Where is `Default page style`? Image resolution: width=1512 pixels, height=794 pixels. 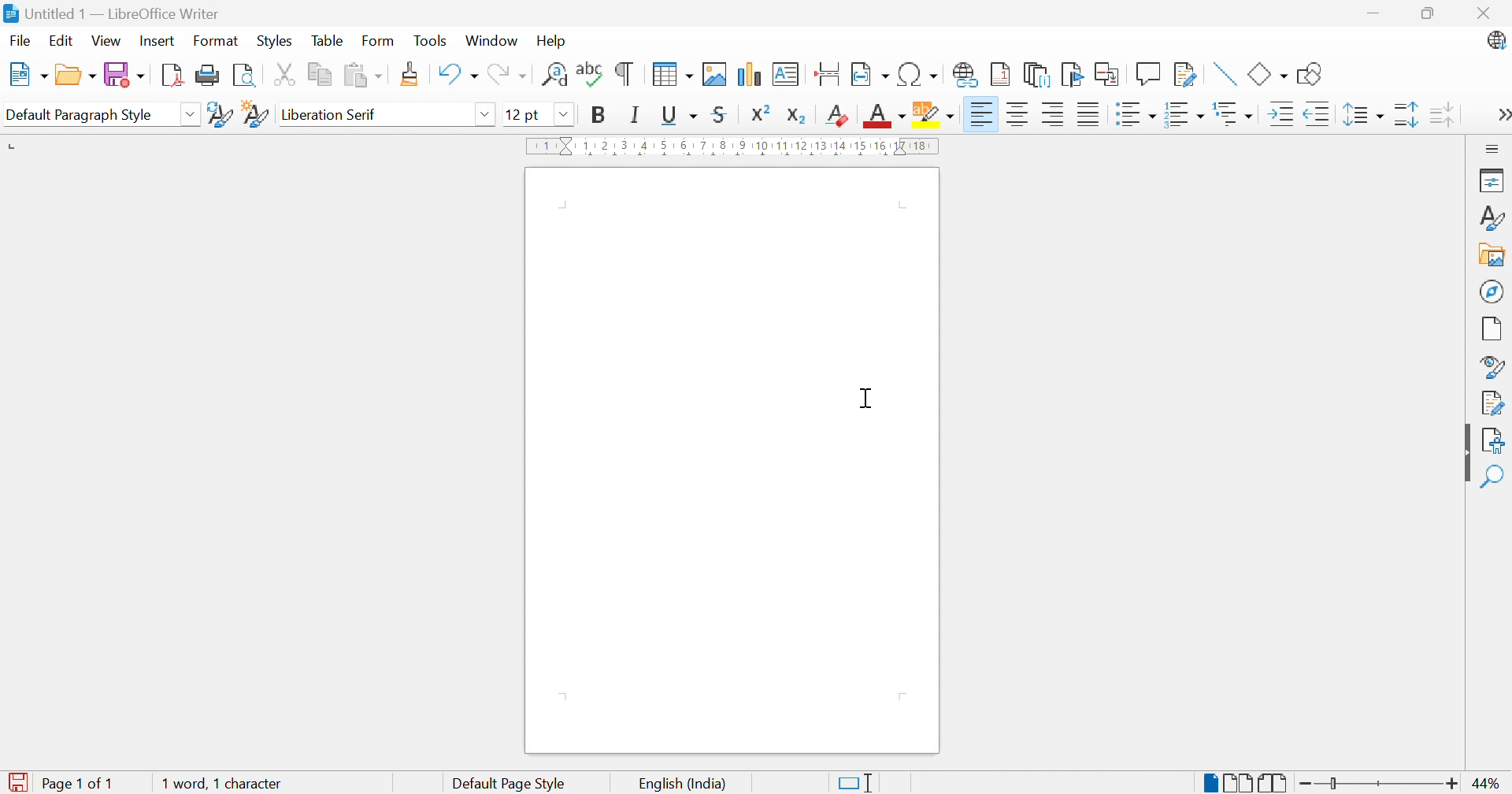 Default page style is located at coordinates (511, 783).